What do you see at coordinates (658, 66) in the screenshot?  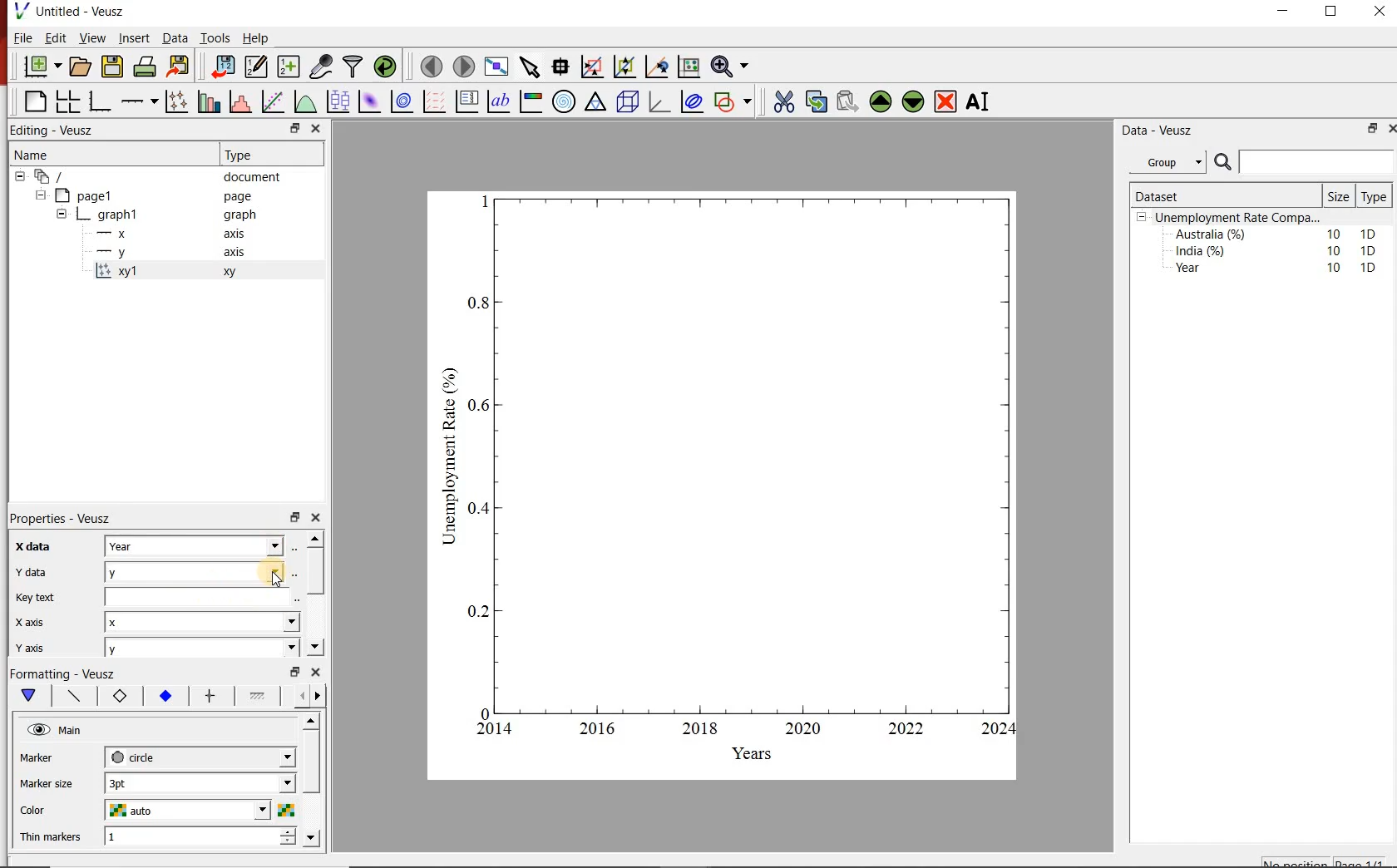 I see `click to recenter graph axes` at bounding box center [658, 66].